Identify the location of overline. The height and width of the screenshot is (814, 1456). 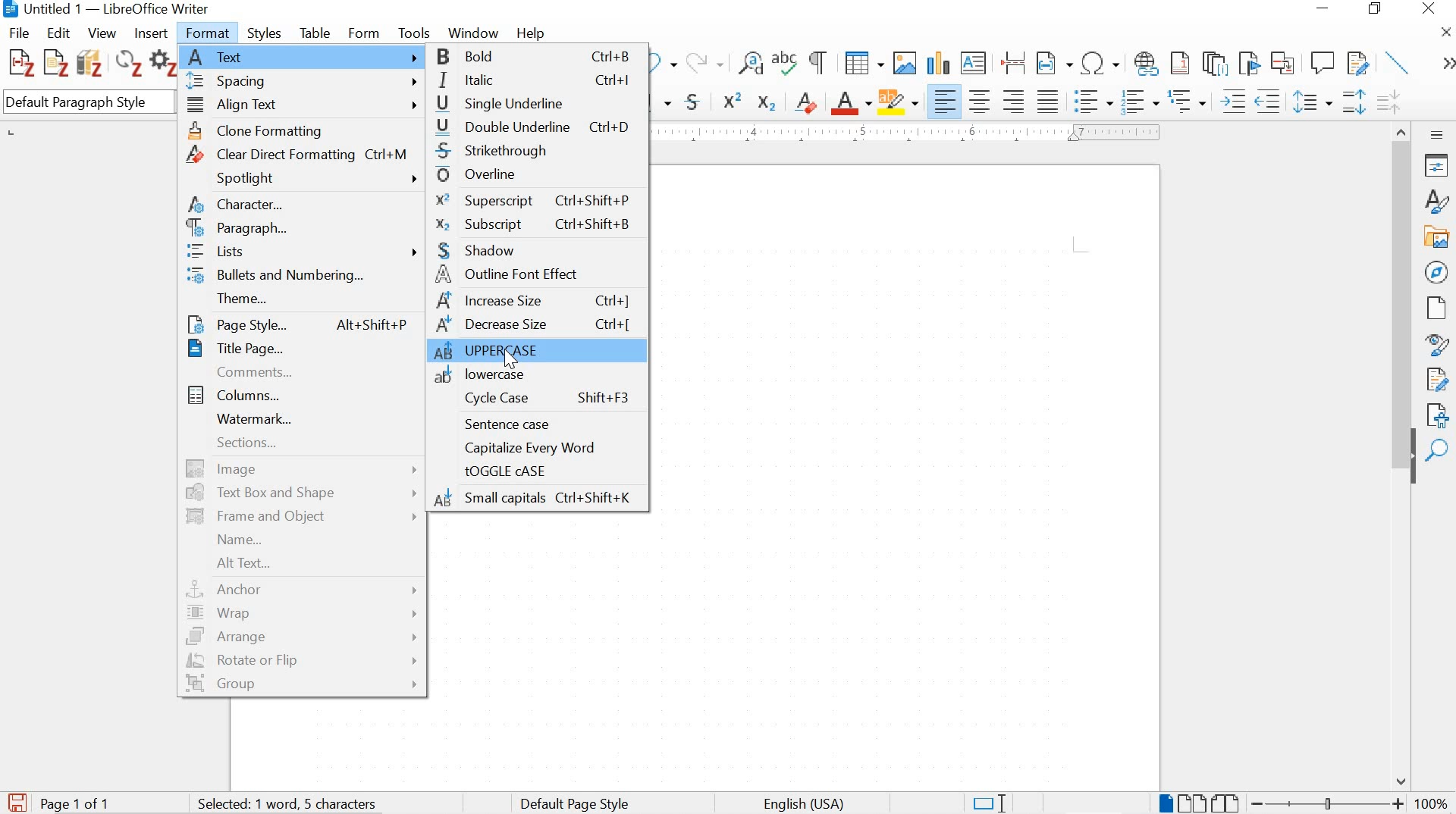
(535, 174).